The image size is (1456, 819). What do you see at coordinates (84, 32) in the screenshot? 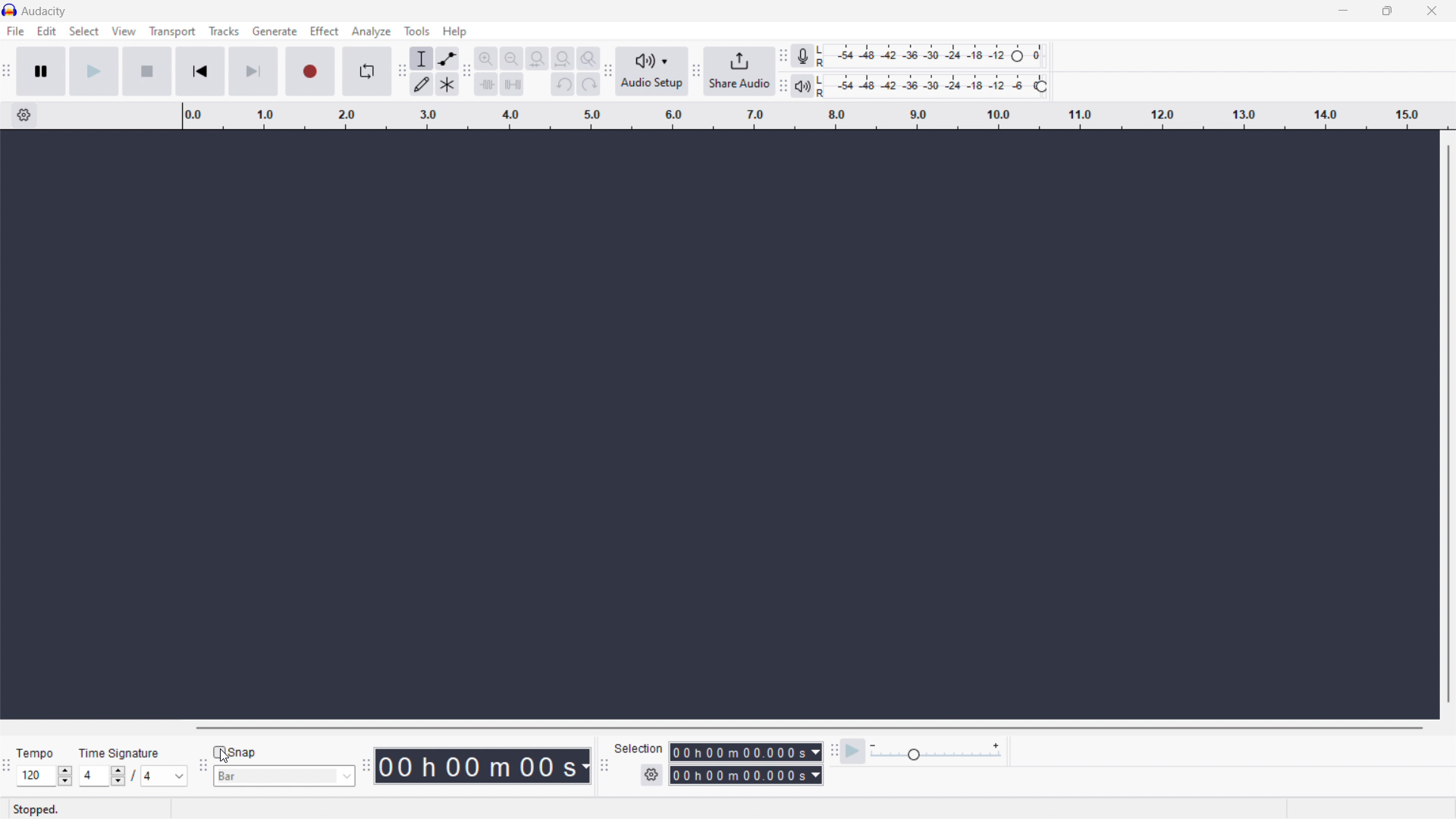
I see `select` at bounding box center [84, 32].